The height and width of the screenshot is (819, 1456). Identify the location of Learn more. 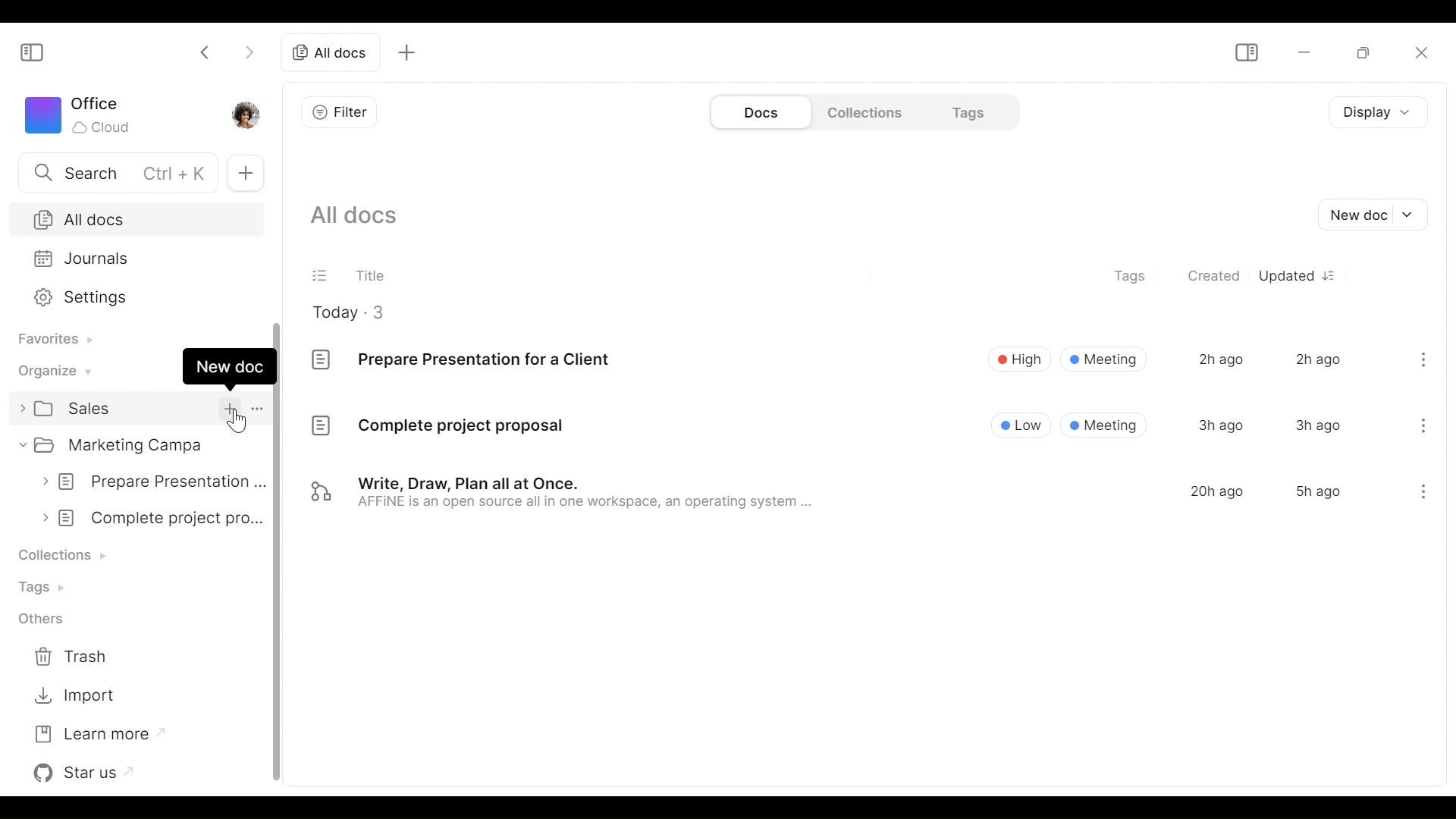
(94, 733).